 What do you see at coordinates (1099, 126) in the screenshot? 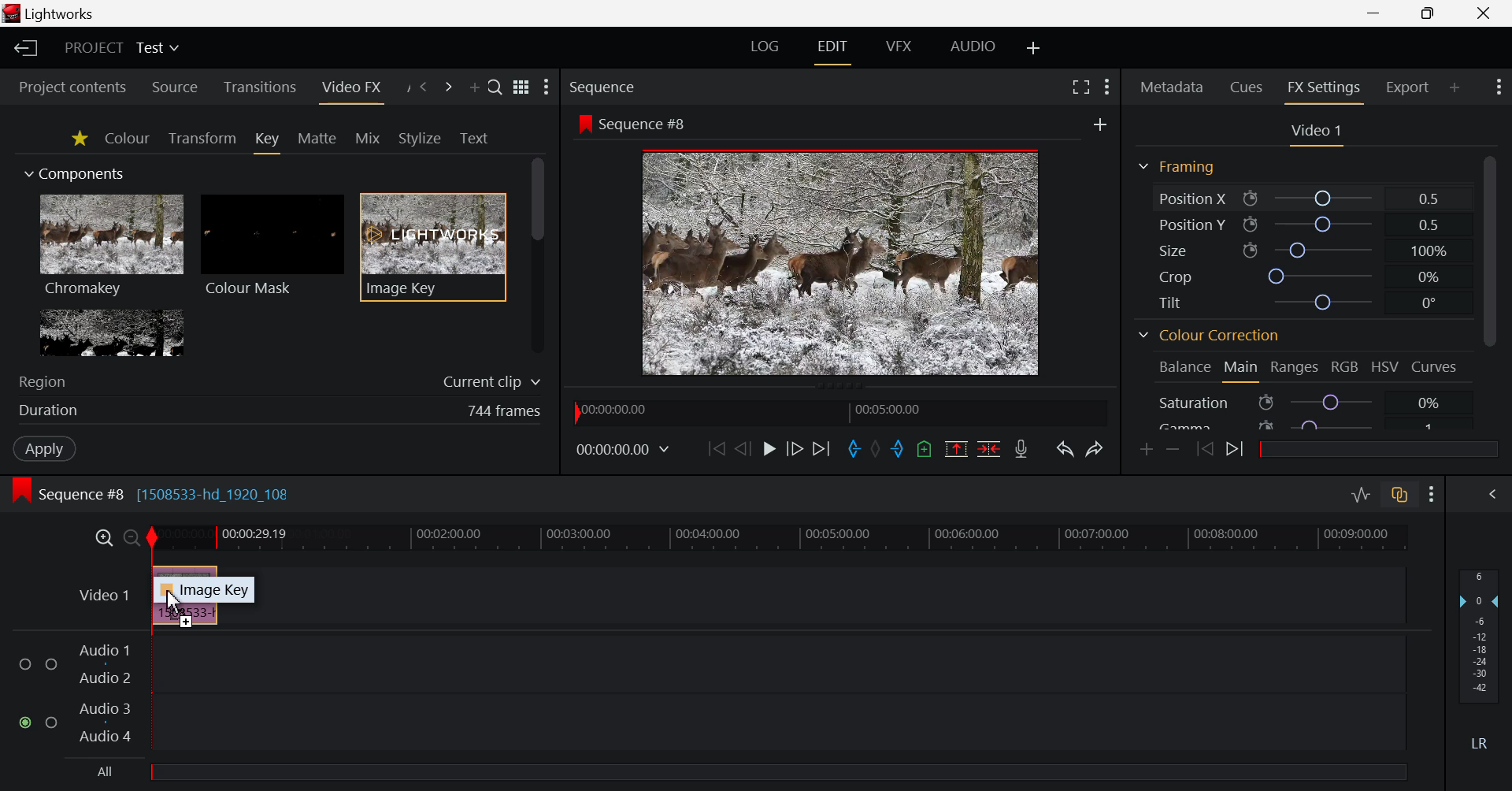
I see `add` at bounding box center [1099, 126].